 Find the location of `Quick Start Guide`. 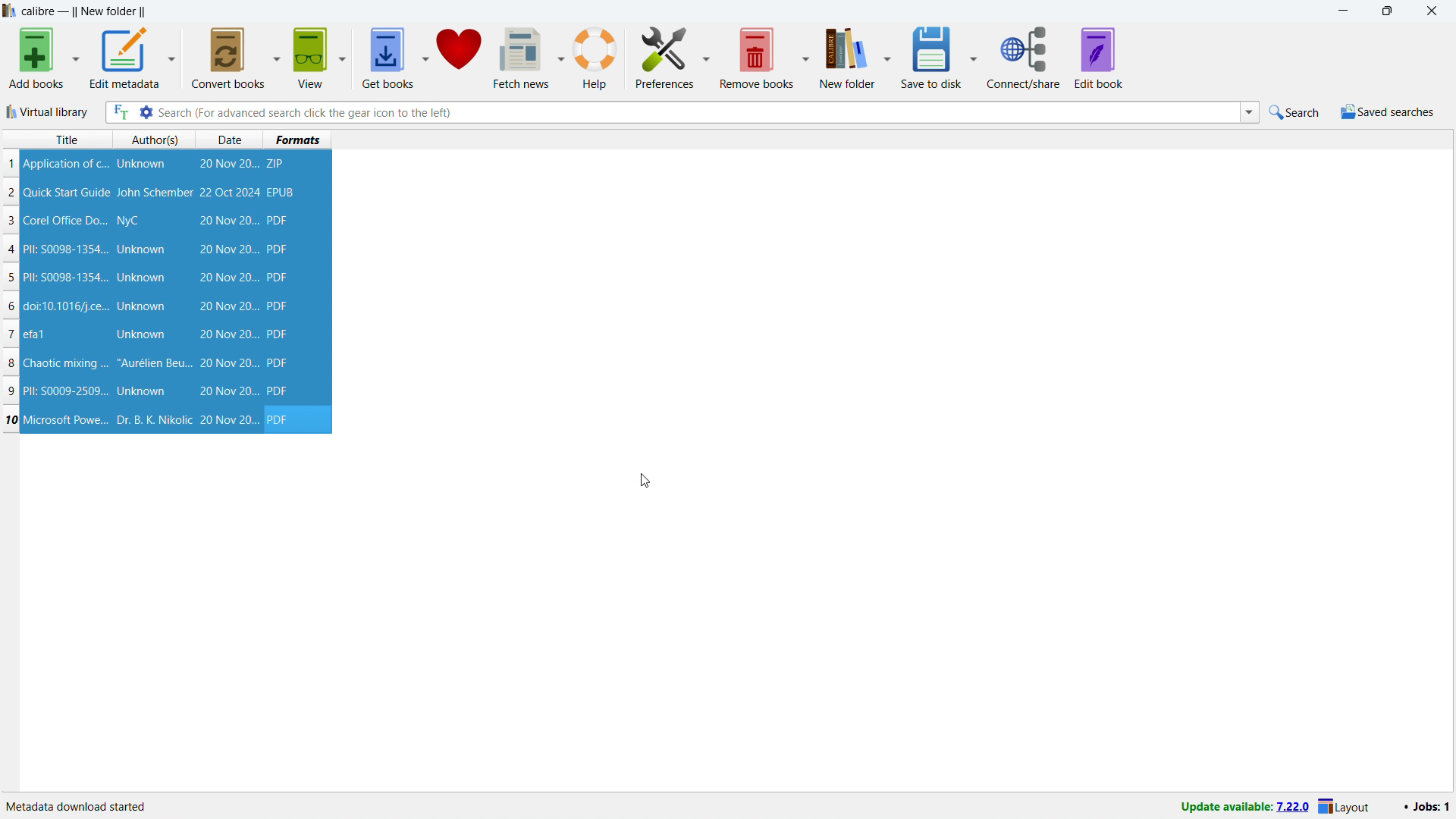

Quick Start Guide is located at coordinates (67, 193).